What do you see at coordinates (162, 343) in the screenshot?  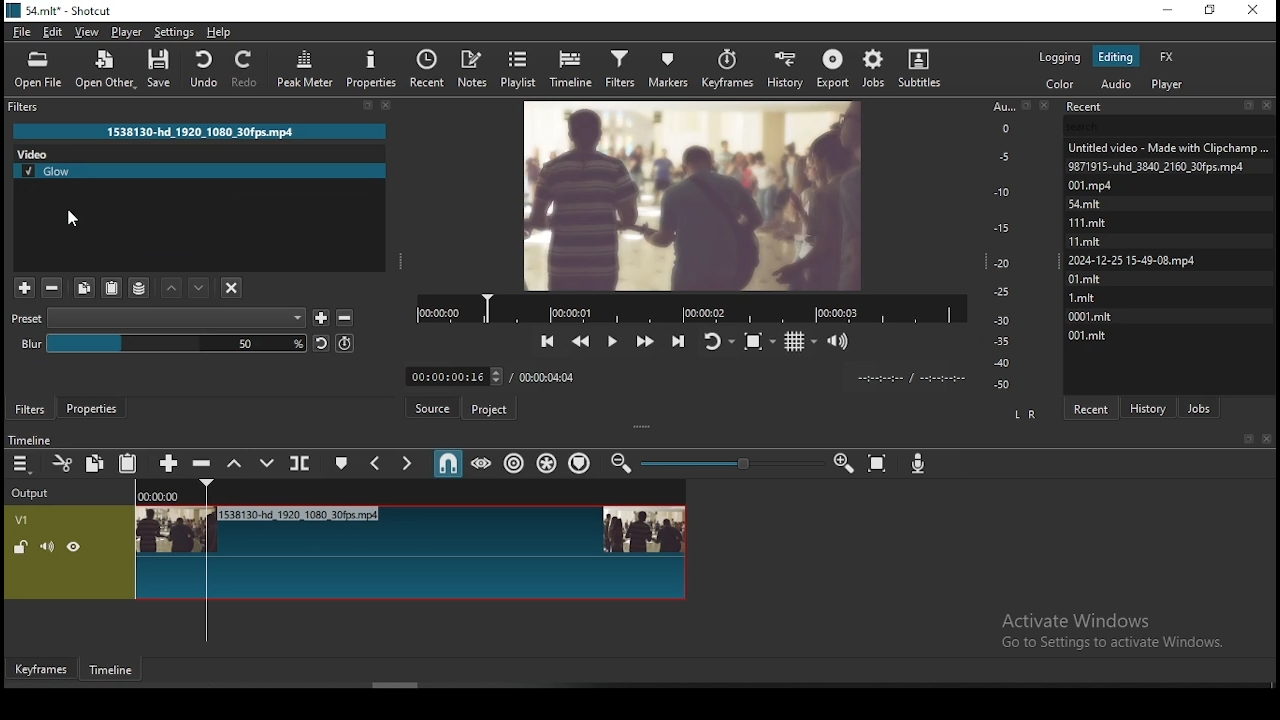 I see `blur` at bounding box center [162, 343].